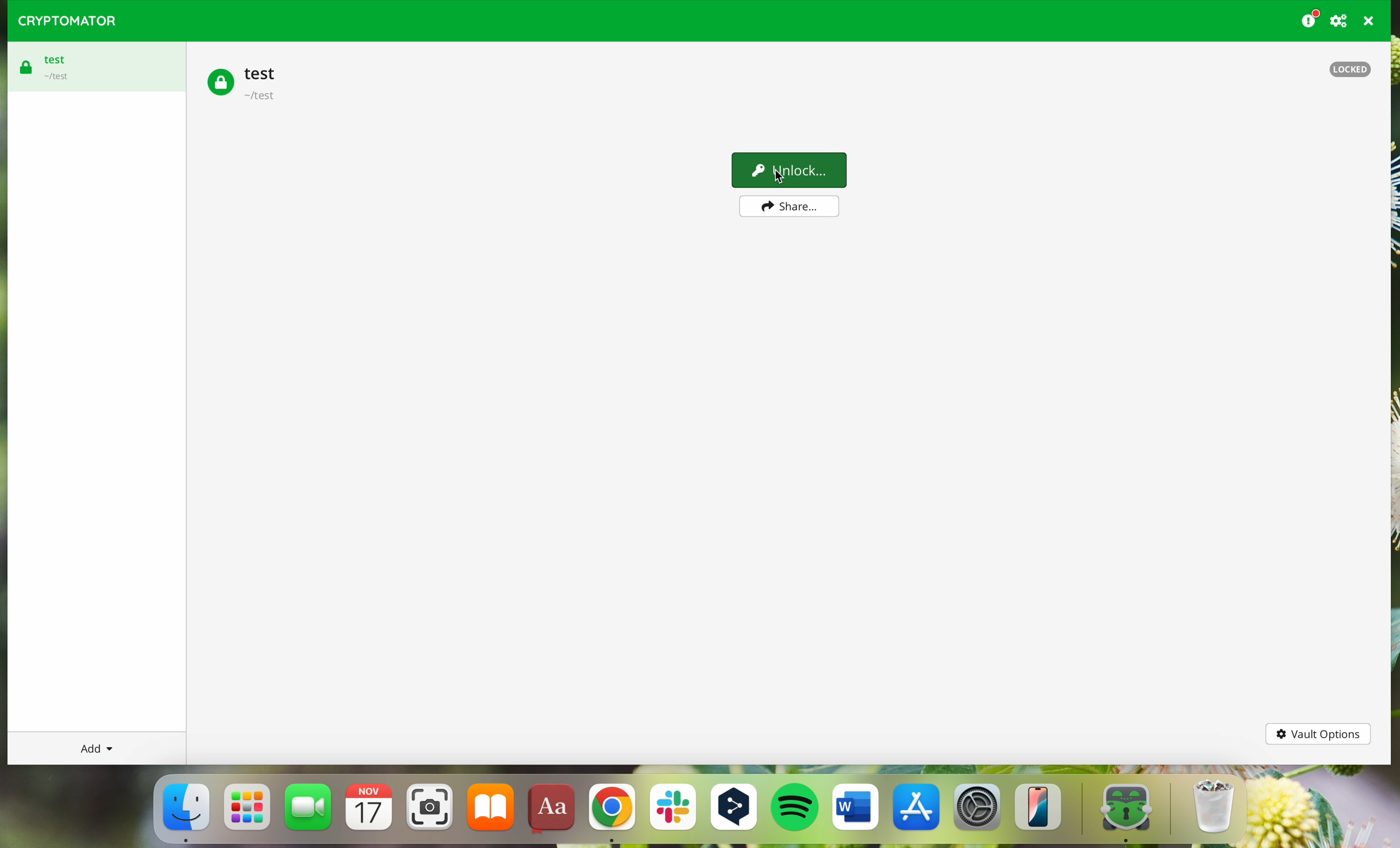 The height and width of the screenshot is (848, 1400). Describe the element at coordinates (1041, 811) in the screenshot. I see `iphone mirroning` at that location.